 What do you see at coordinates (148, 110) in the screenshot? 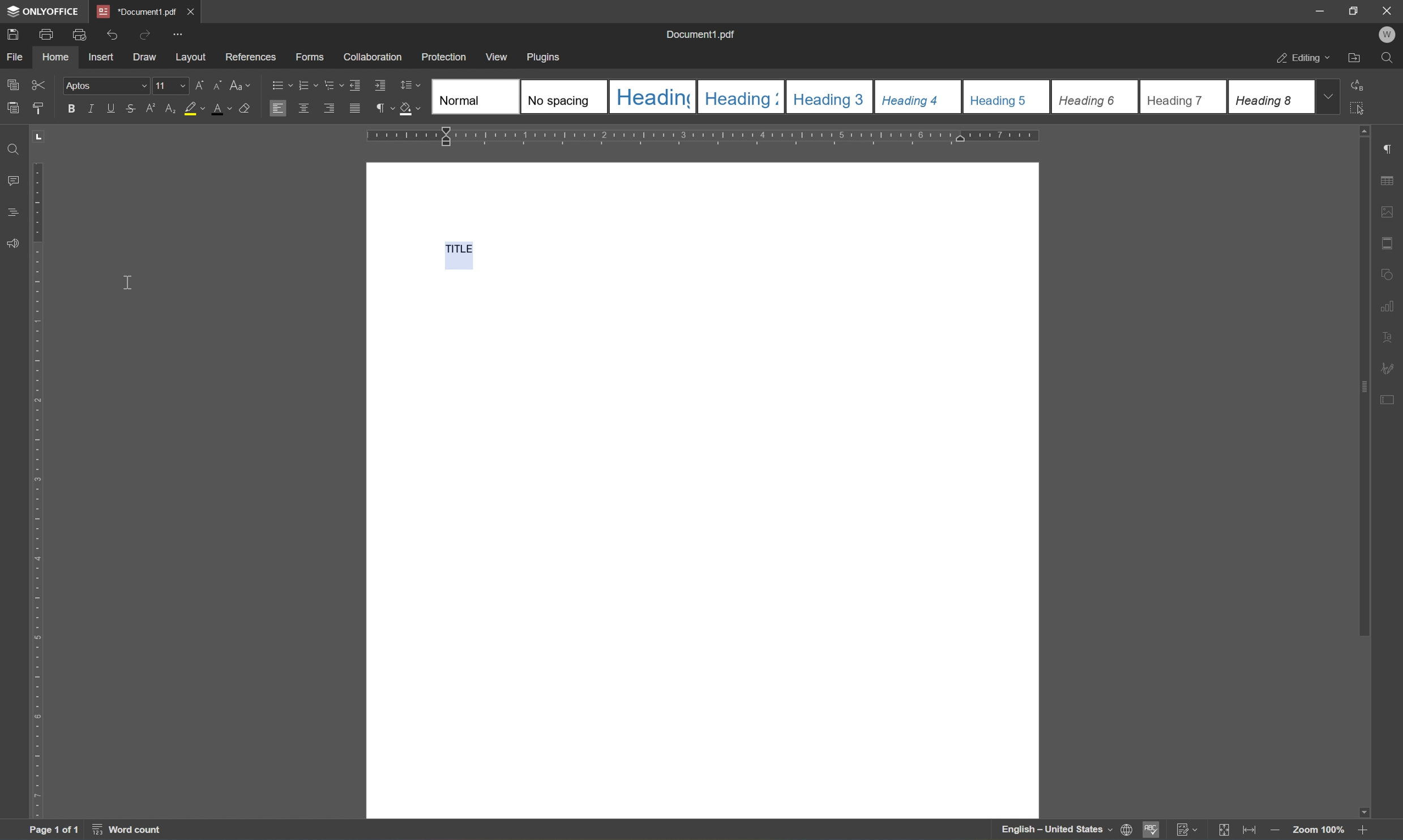
I see `superscript` at bounding box center [148, 110].